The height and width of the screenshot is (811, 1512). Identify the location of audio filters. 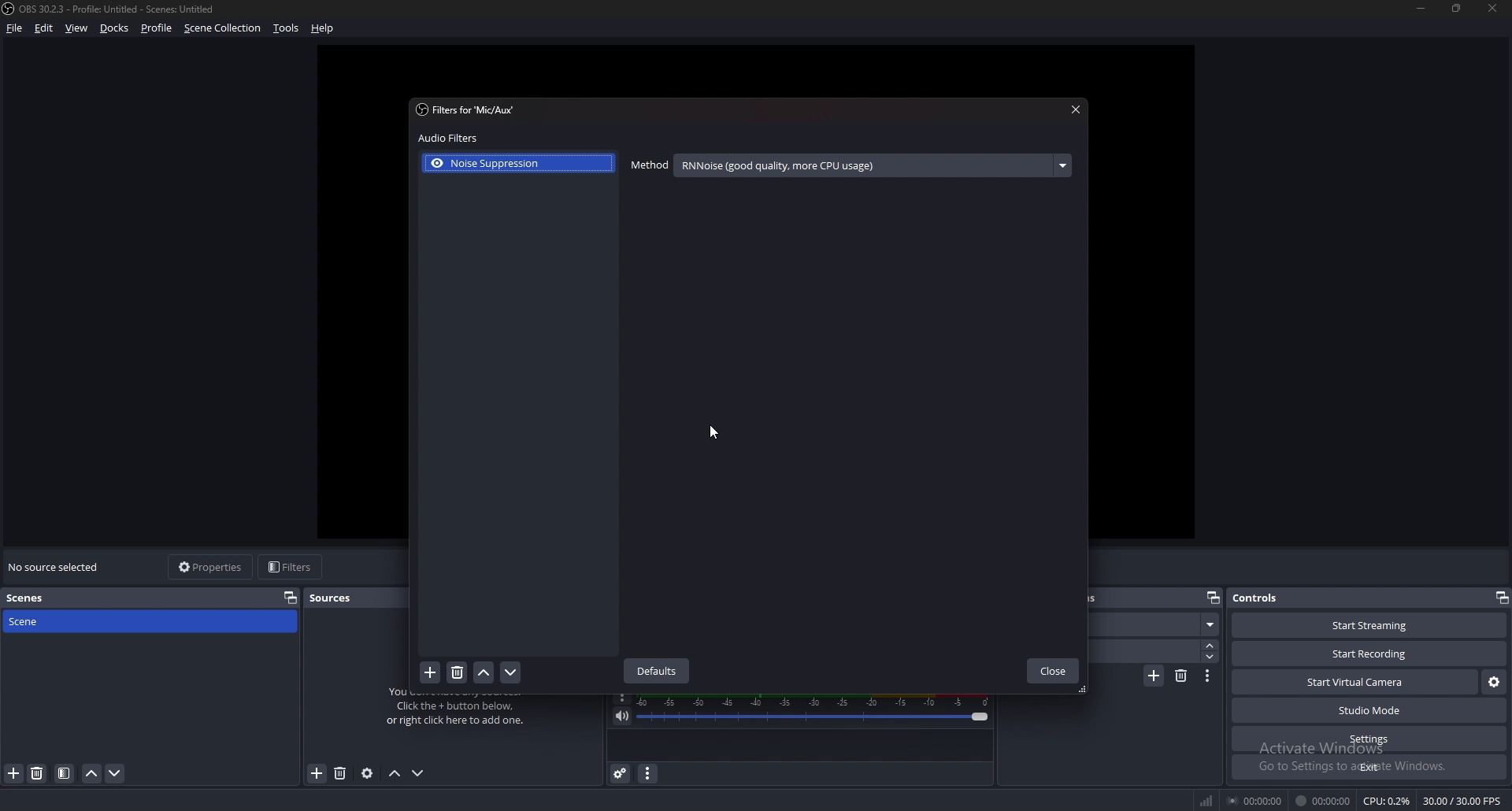
(454, 139).